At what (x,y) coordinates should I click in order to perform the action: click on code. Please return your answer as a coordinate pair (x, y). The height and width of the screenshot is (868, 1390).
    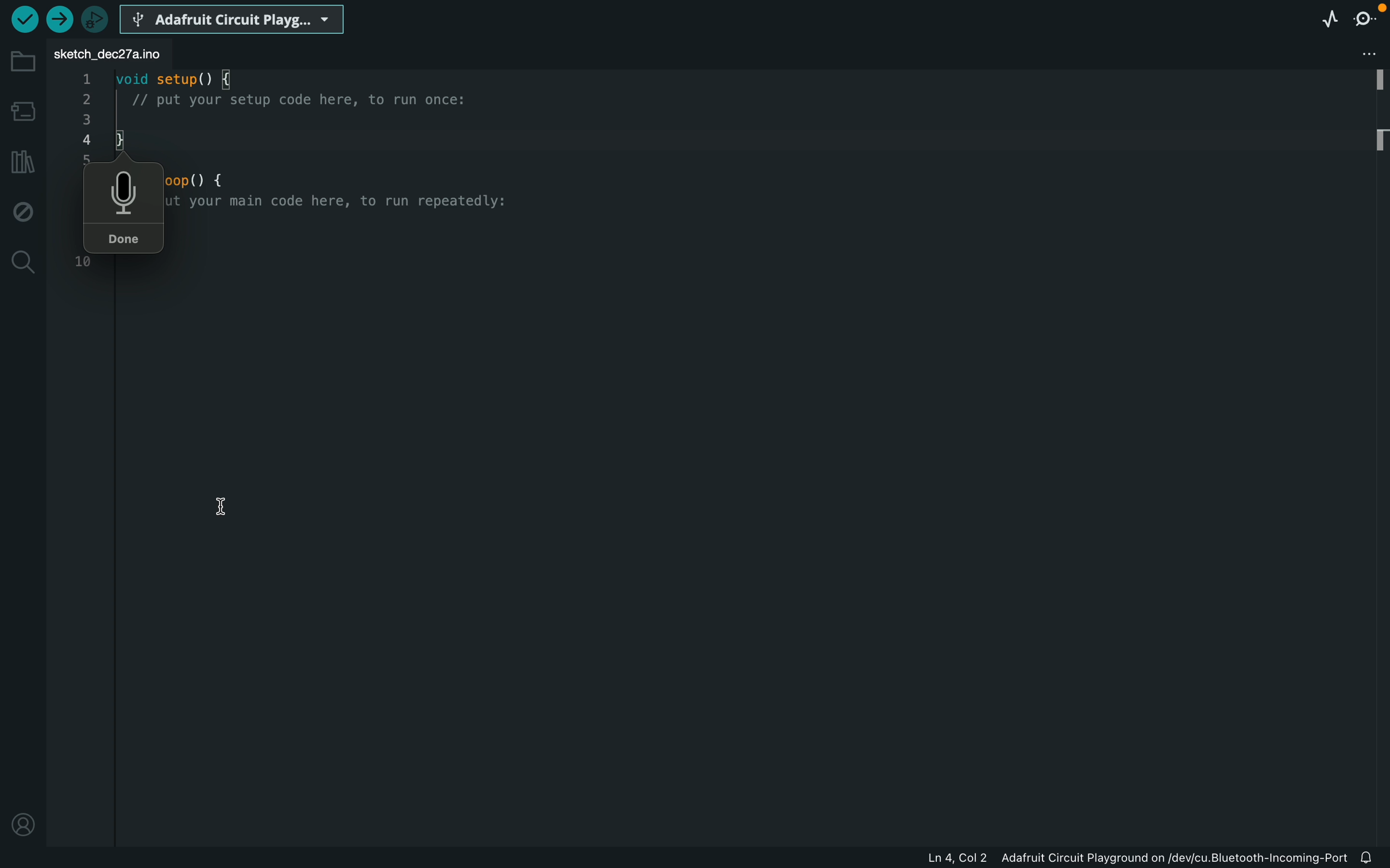
    Looking at the image, I should click on (289, 98).